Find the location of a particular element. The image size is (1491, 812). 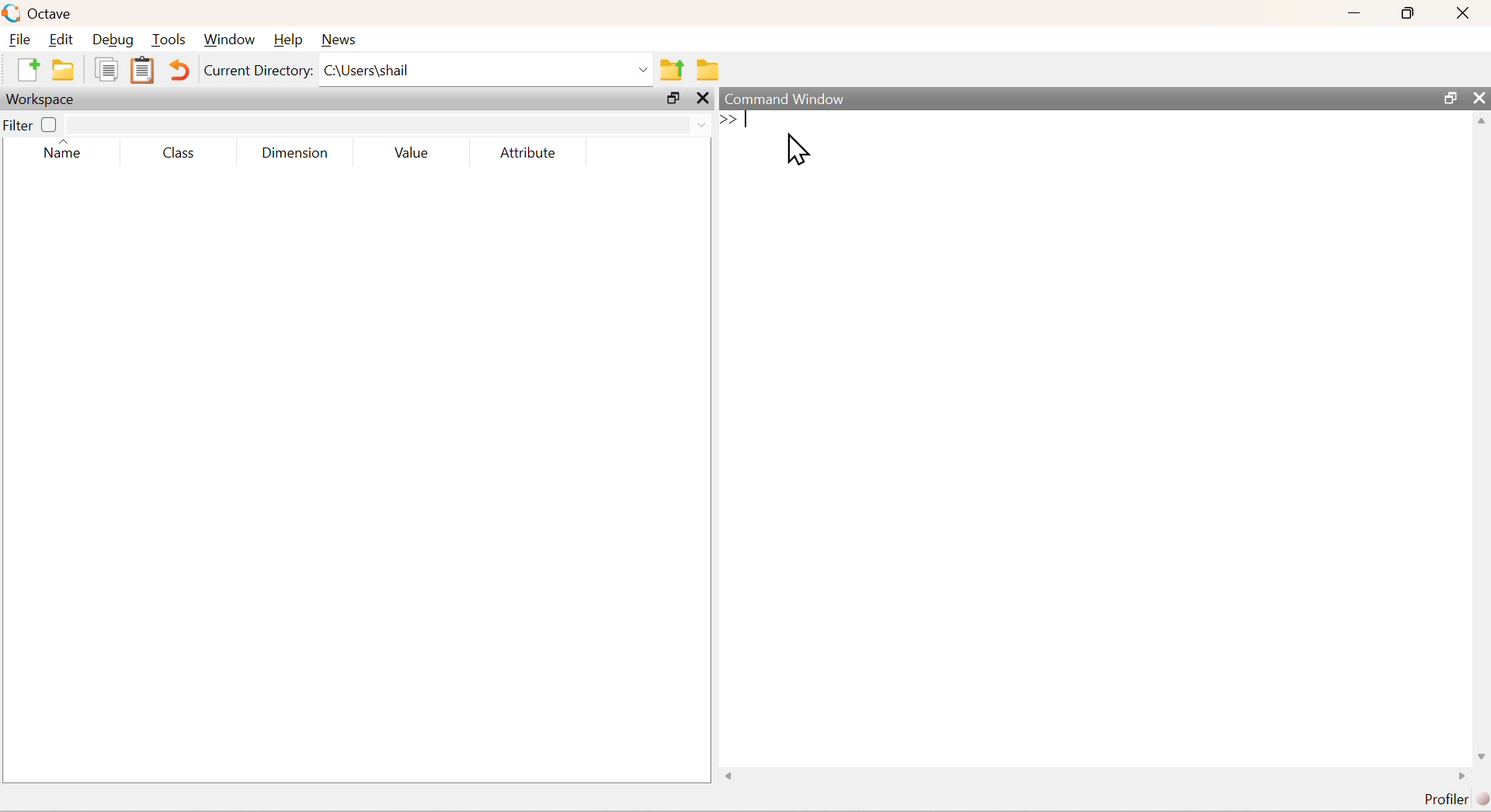

one directory up is located at coordinates (673, 71).